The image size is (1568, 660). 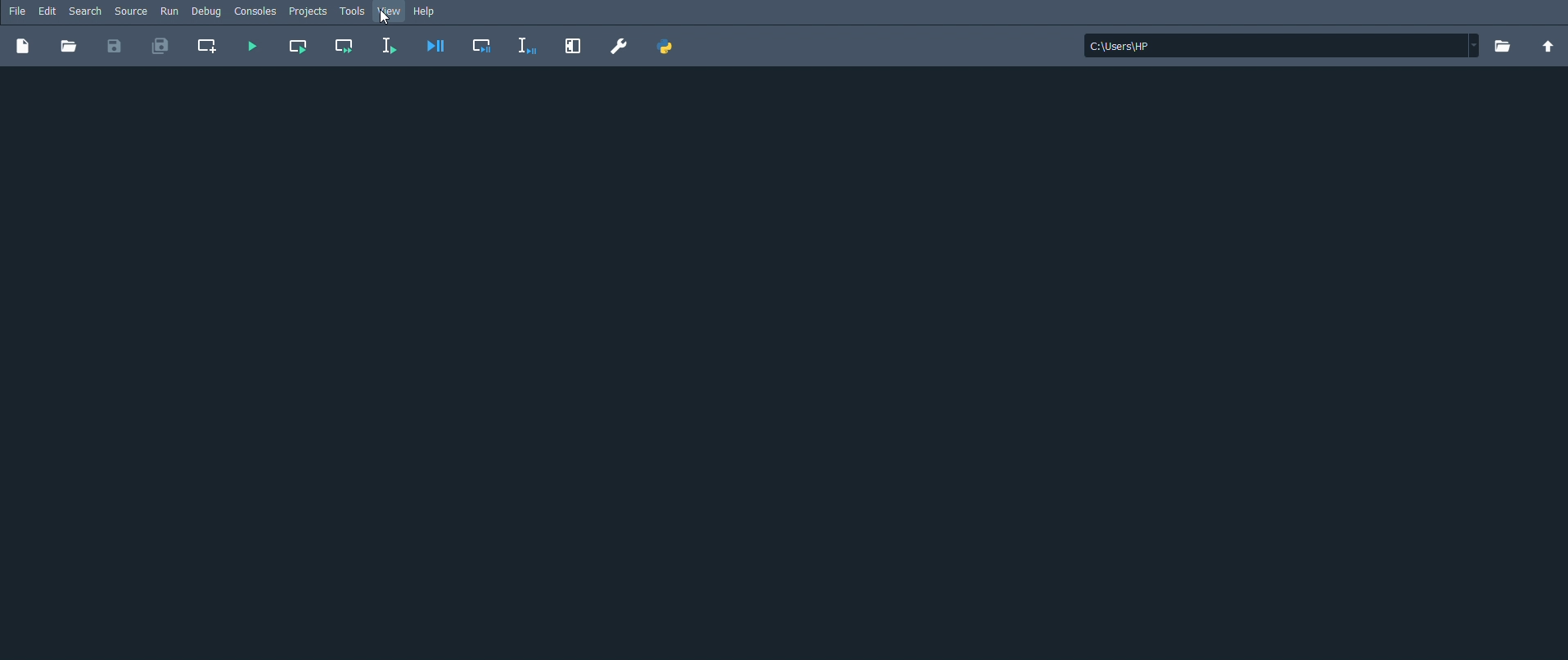 What do you see at coordinates (435, 46) in the screenshot?
I see `Debug file` at bounding box center [435, 46].